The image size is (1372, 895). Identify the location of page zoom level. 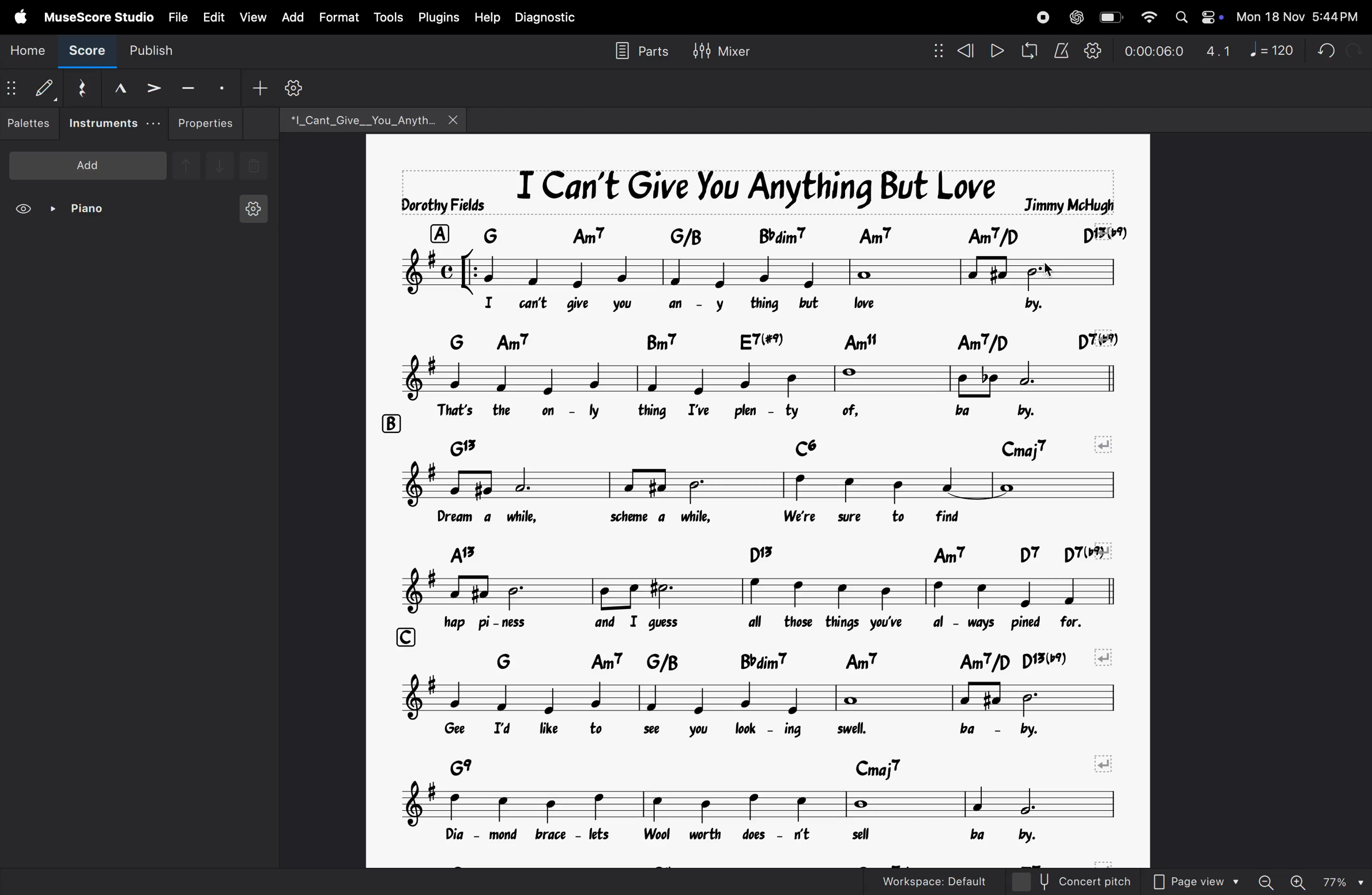
(1343, 881).